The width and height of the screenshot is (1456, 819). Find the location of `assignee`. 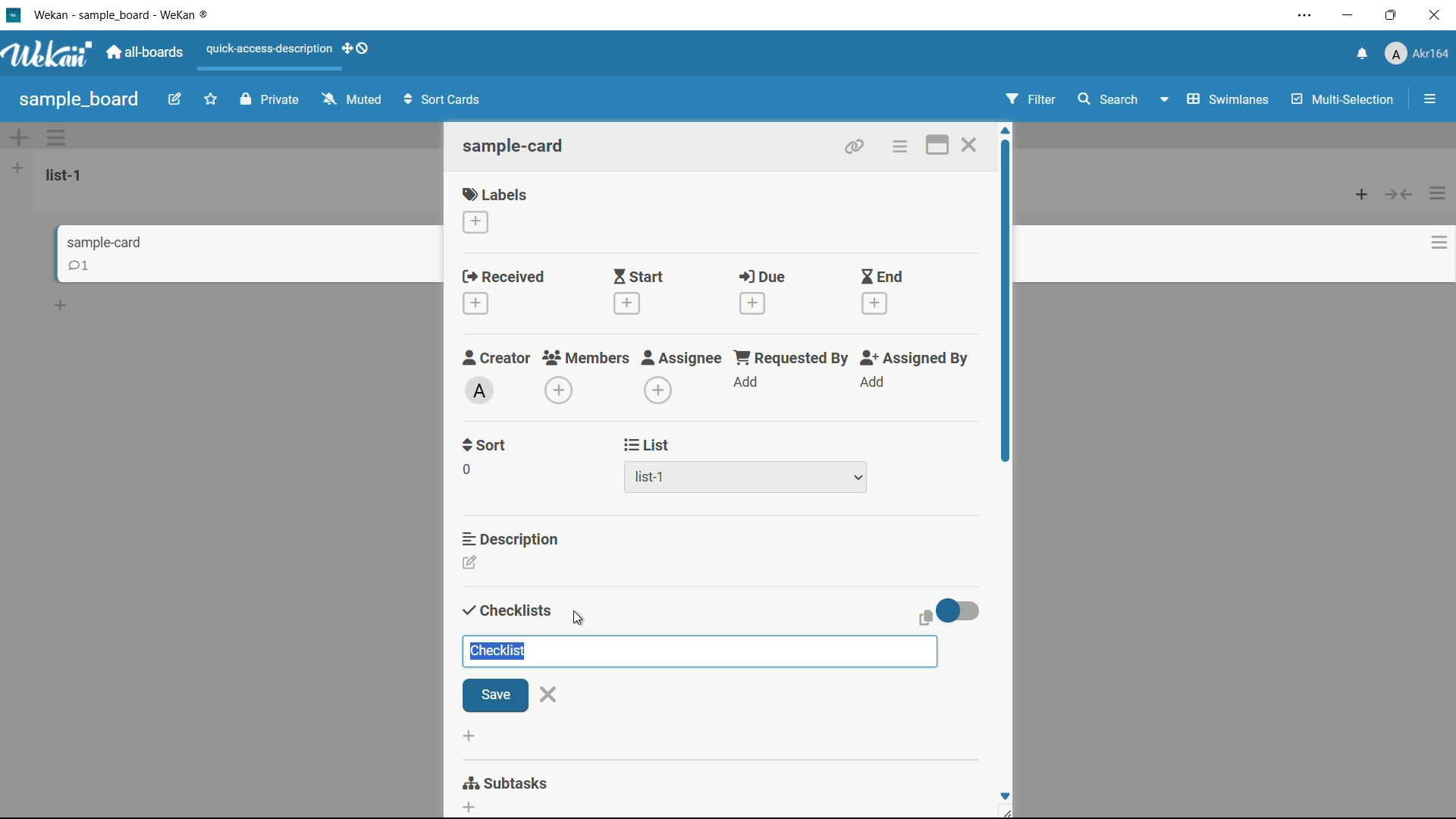

assignee is located at coordinates (682, 359).